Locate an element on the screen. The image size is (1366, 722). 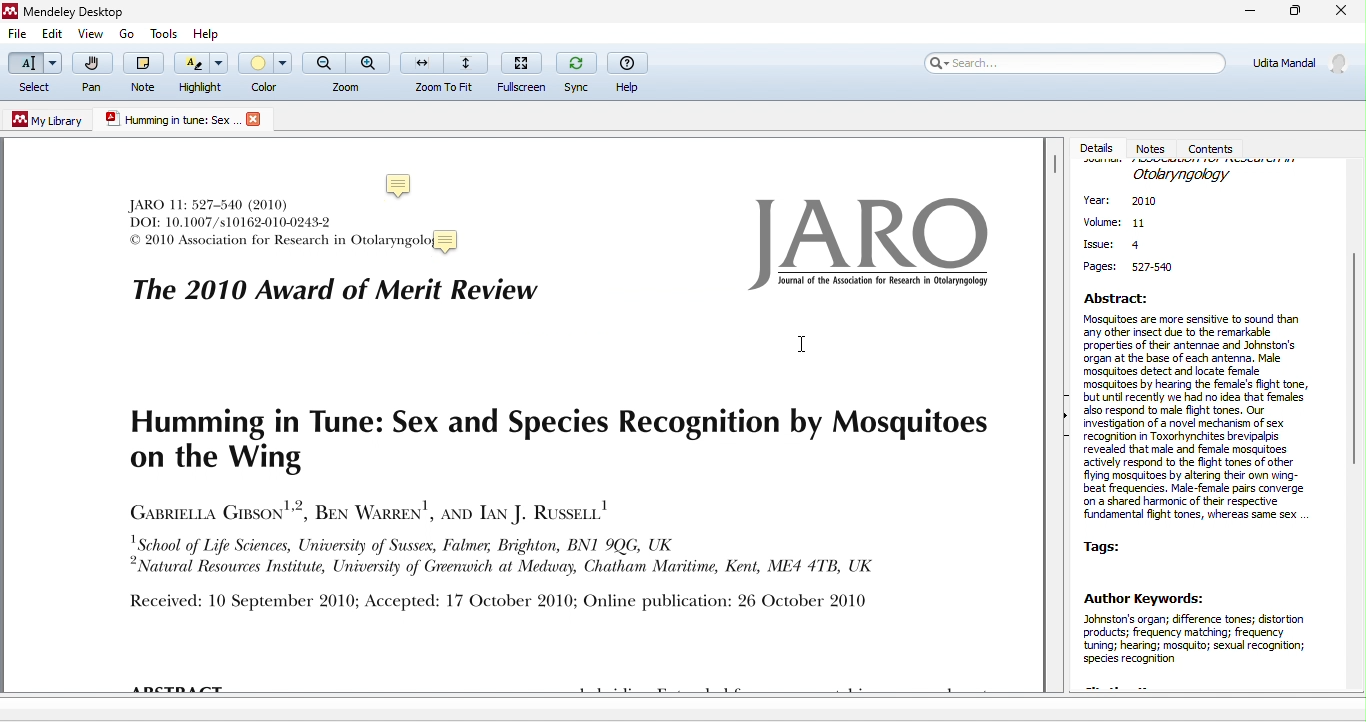
author keywords is located at coordinates (1203, 638).